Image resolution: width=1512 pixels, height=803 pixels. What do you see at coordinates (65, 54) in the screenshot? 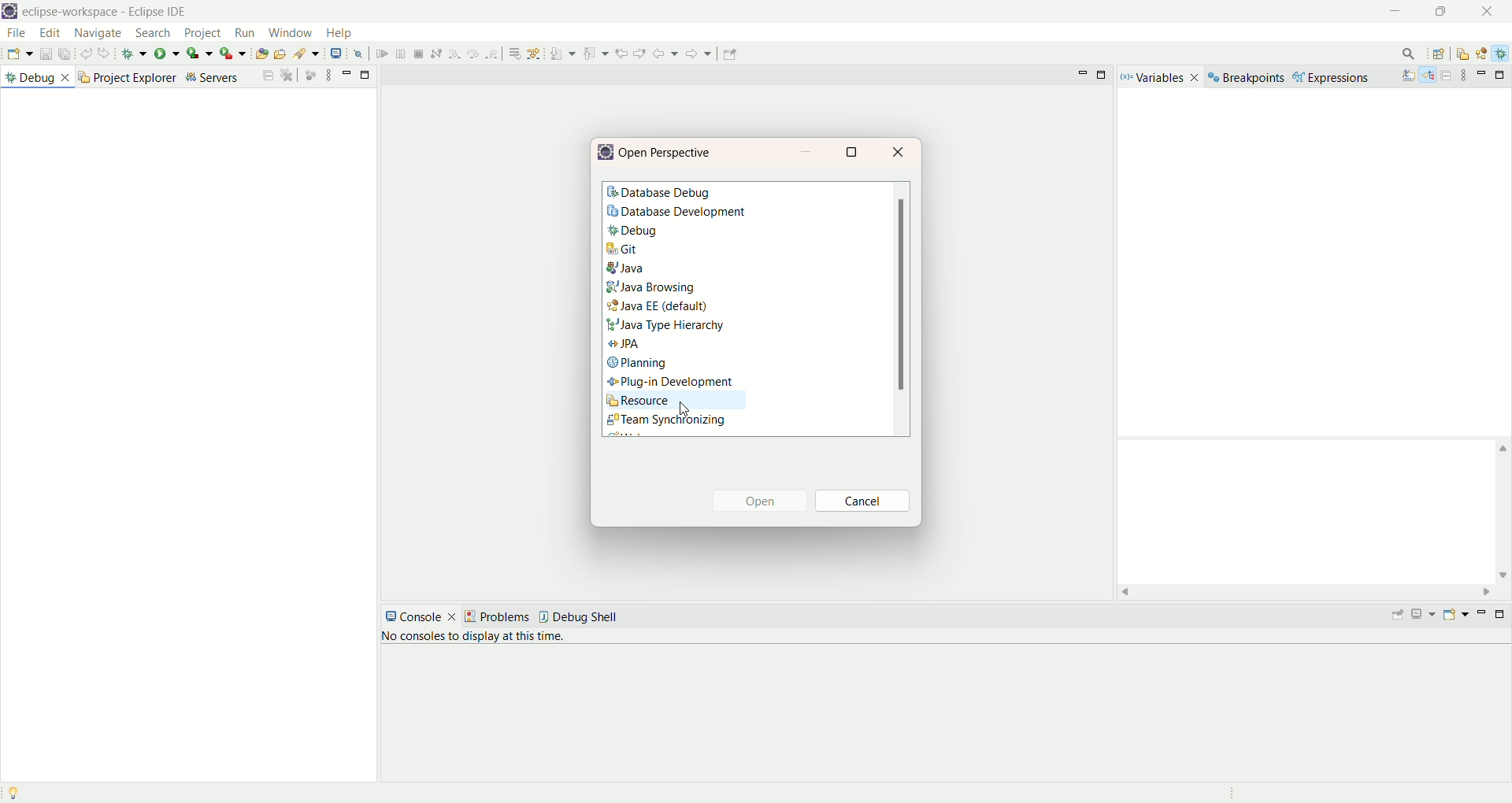
I see `save all` at bounding box center [65, 54].